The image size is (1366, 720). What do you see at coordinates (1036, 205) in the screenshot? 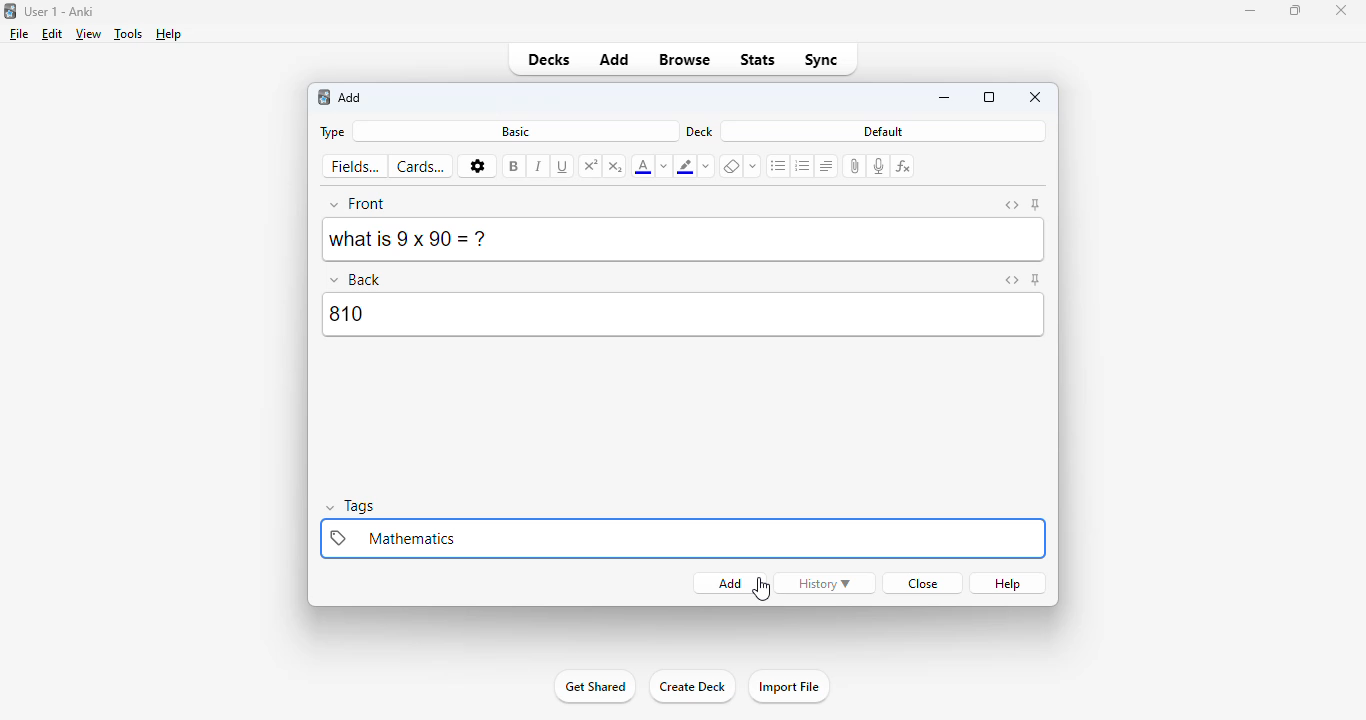
I see `toggle sticky` at bounding box center [1036, 205].